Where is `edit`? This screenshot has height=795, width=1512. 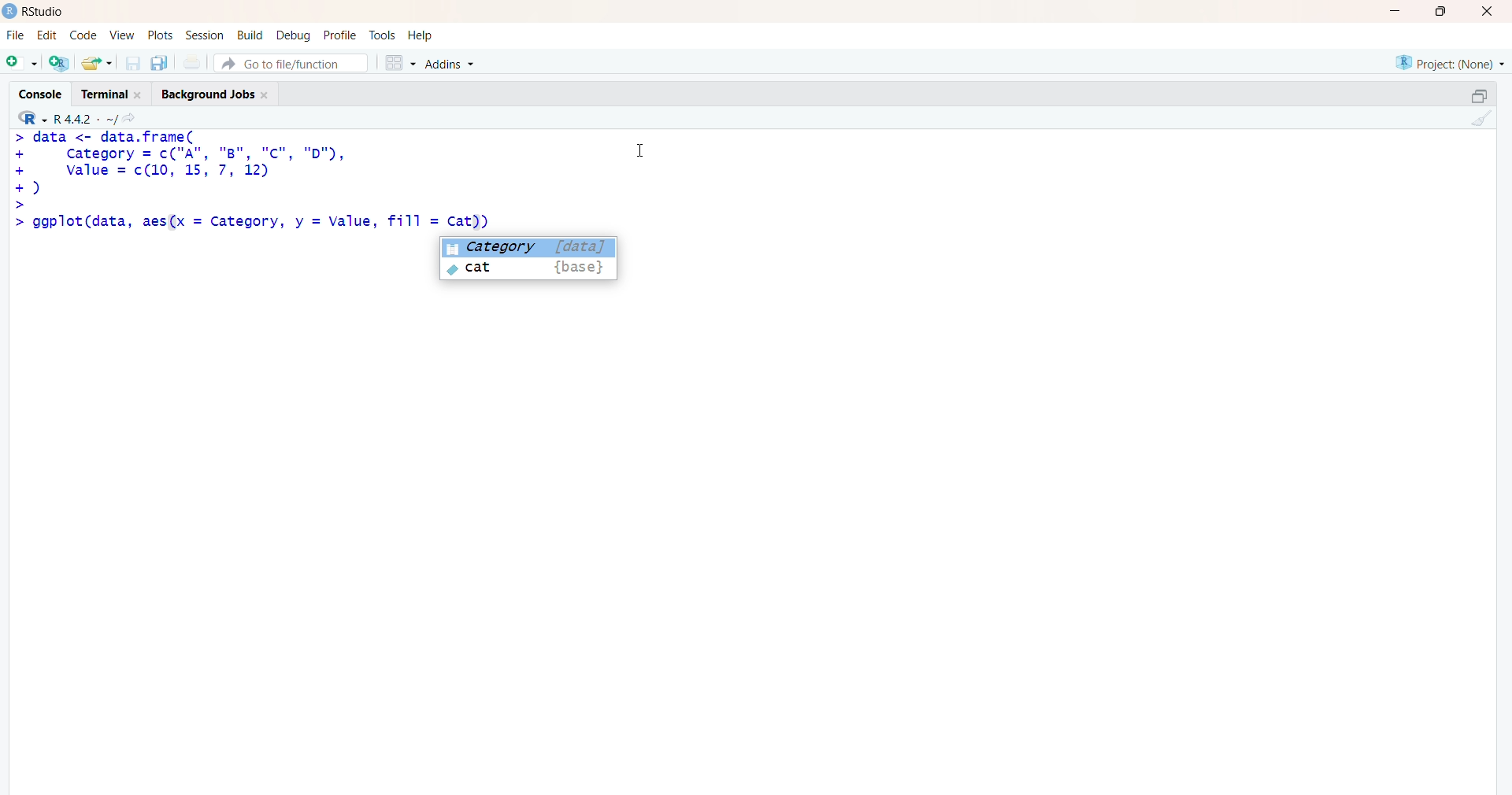 edit is located at coordinates (47, 35).